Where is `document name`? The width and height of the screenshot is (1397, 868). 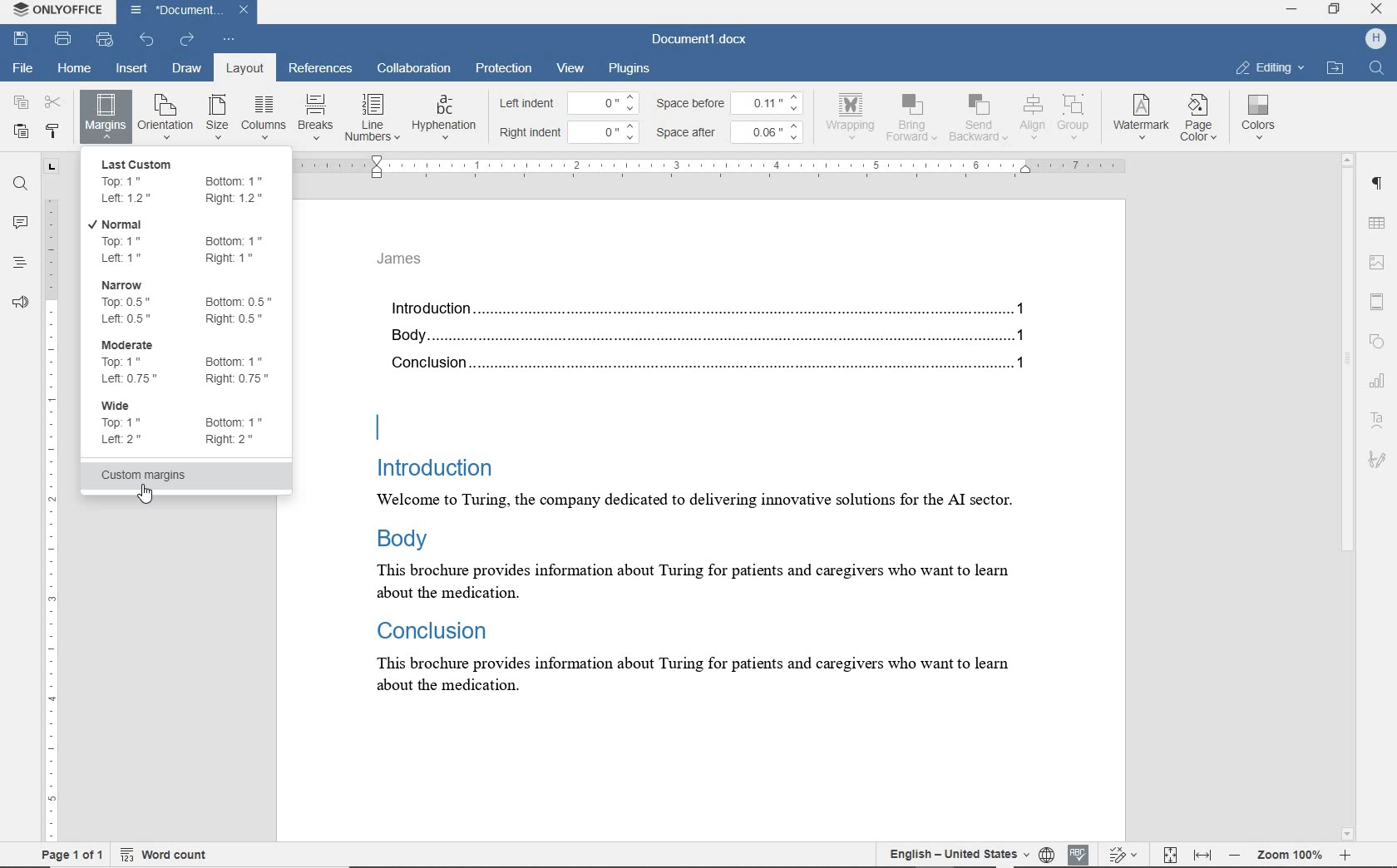 document name is located at coordinates (700, 40).